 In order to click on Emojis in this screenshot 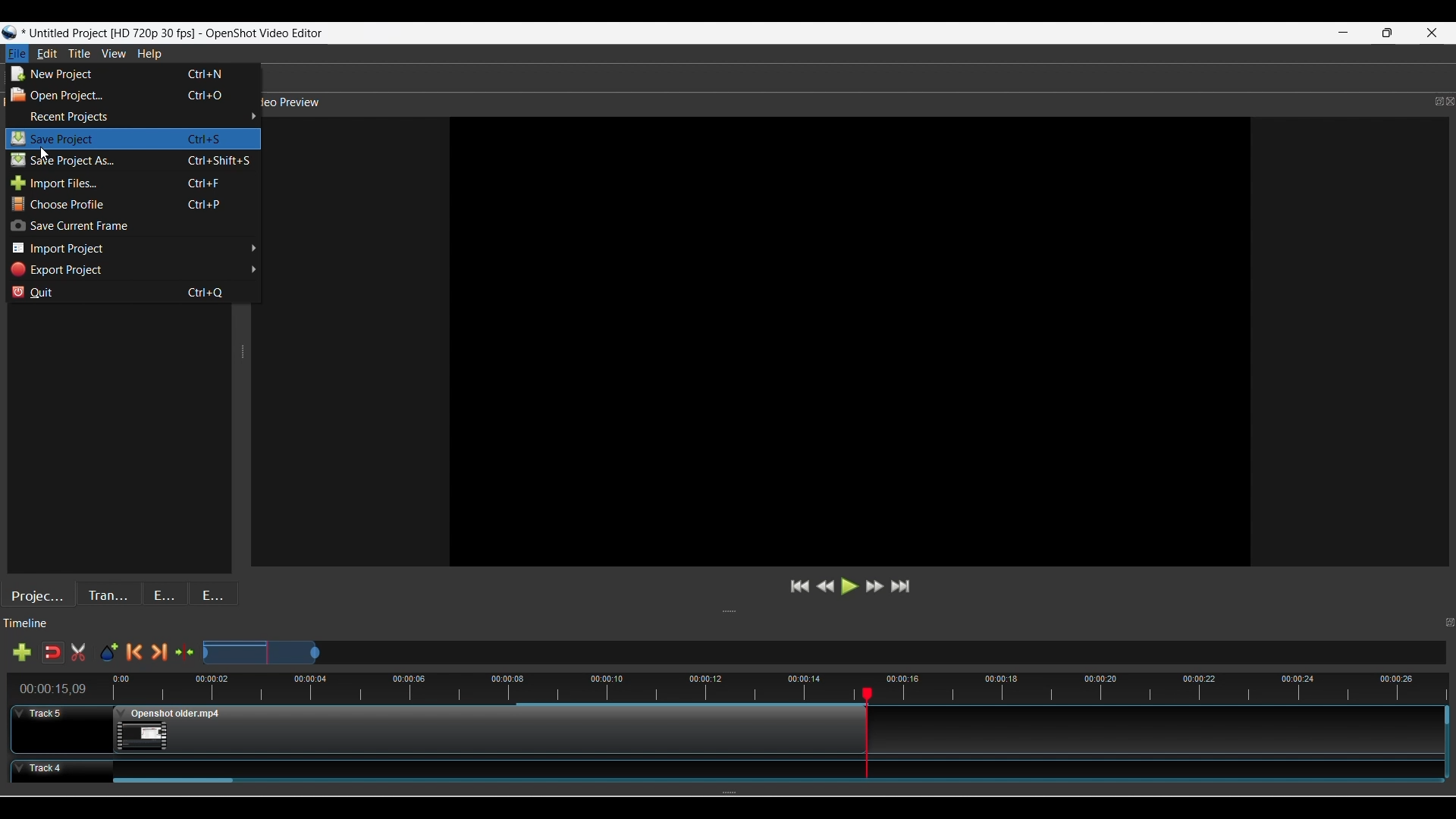, I will do `click(213, 593)`.